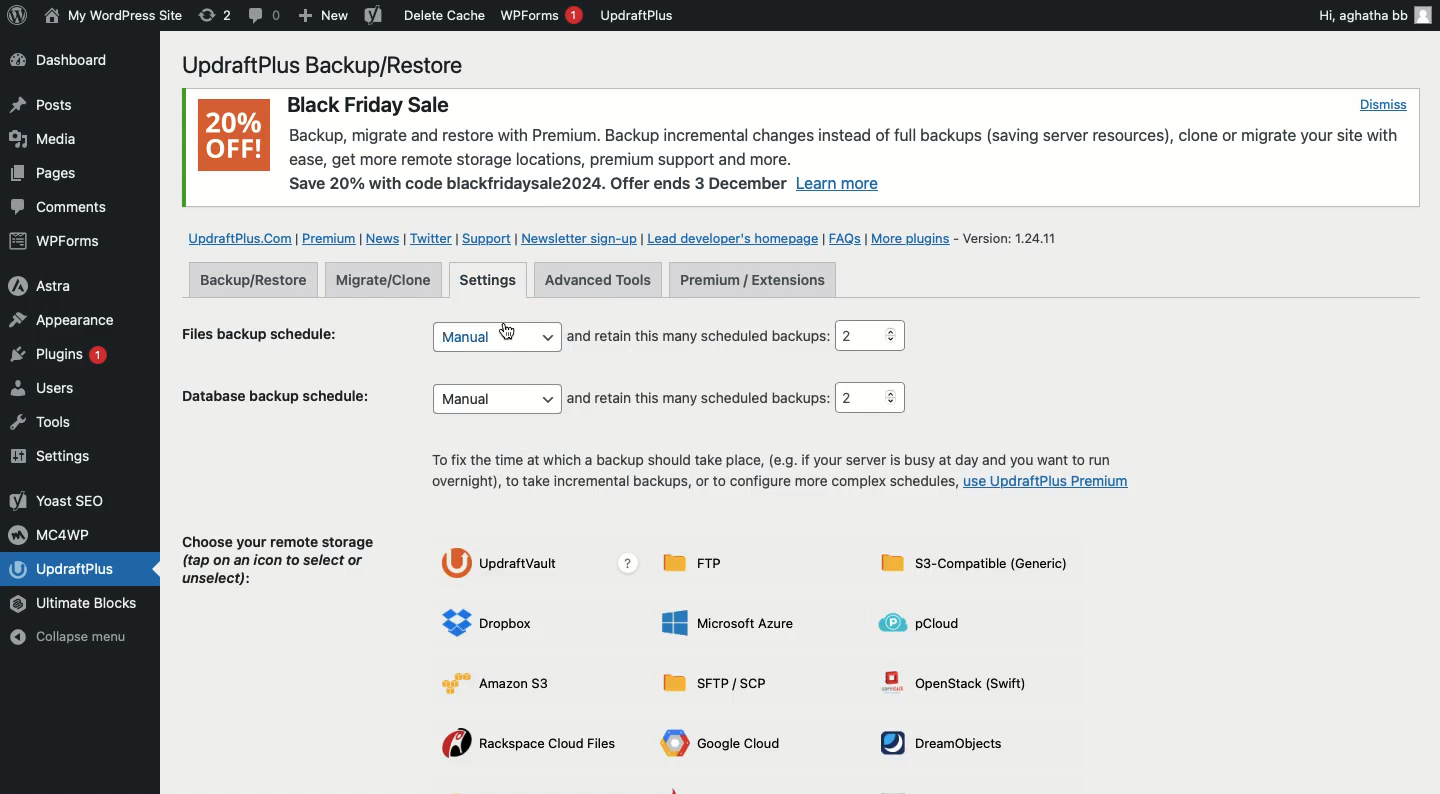 The width and height of the screenshot is (1440, 794). Describe the element at coordinates (324, 17) in the screenshot. I see `New` at that location.